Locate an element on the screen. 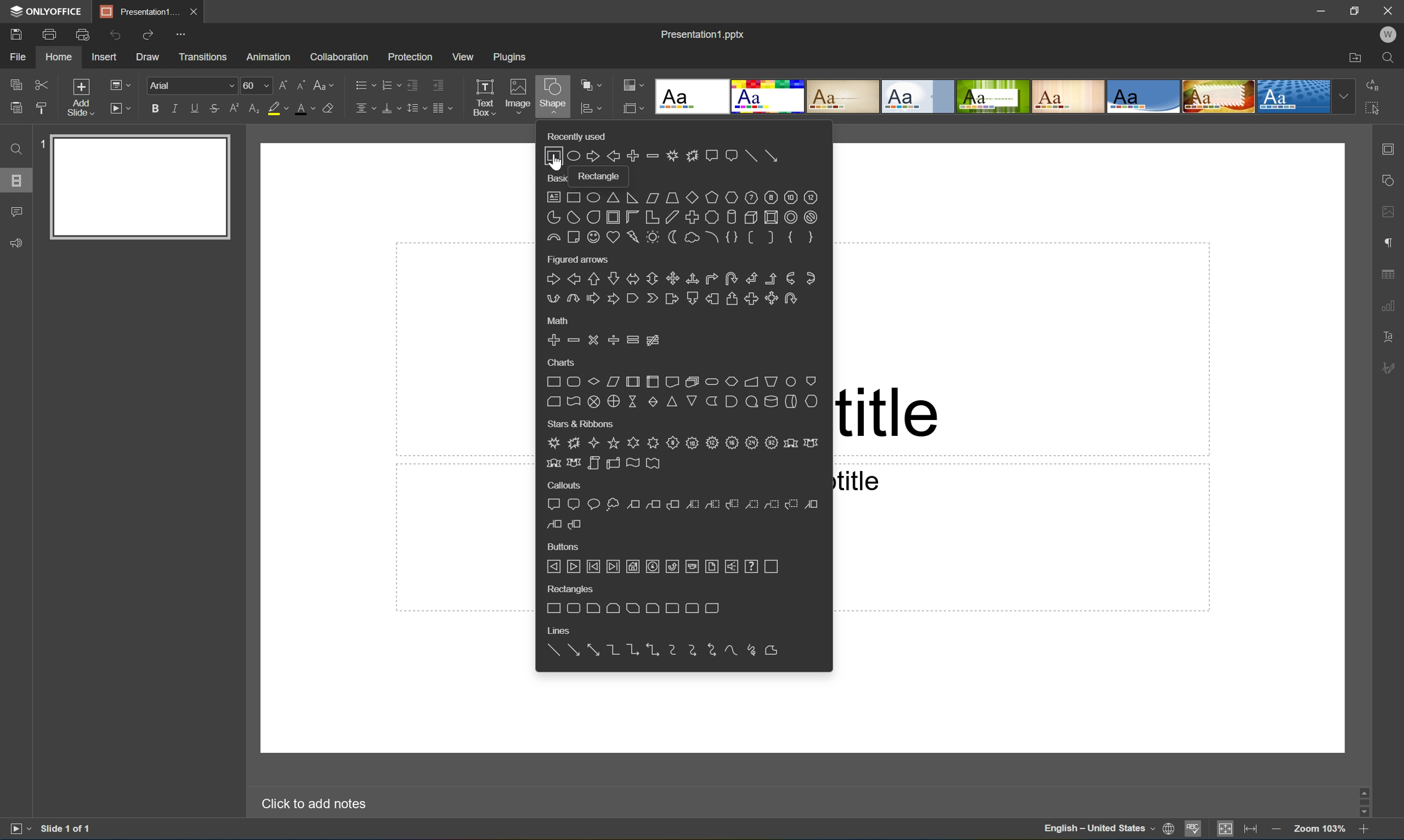  Arrange shape is located at coordinates (590, 86).